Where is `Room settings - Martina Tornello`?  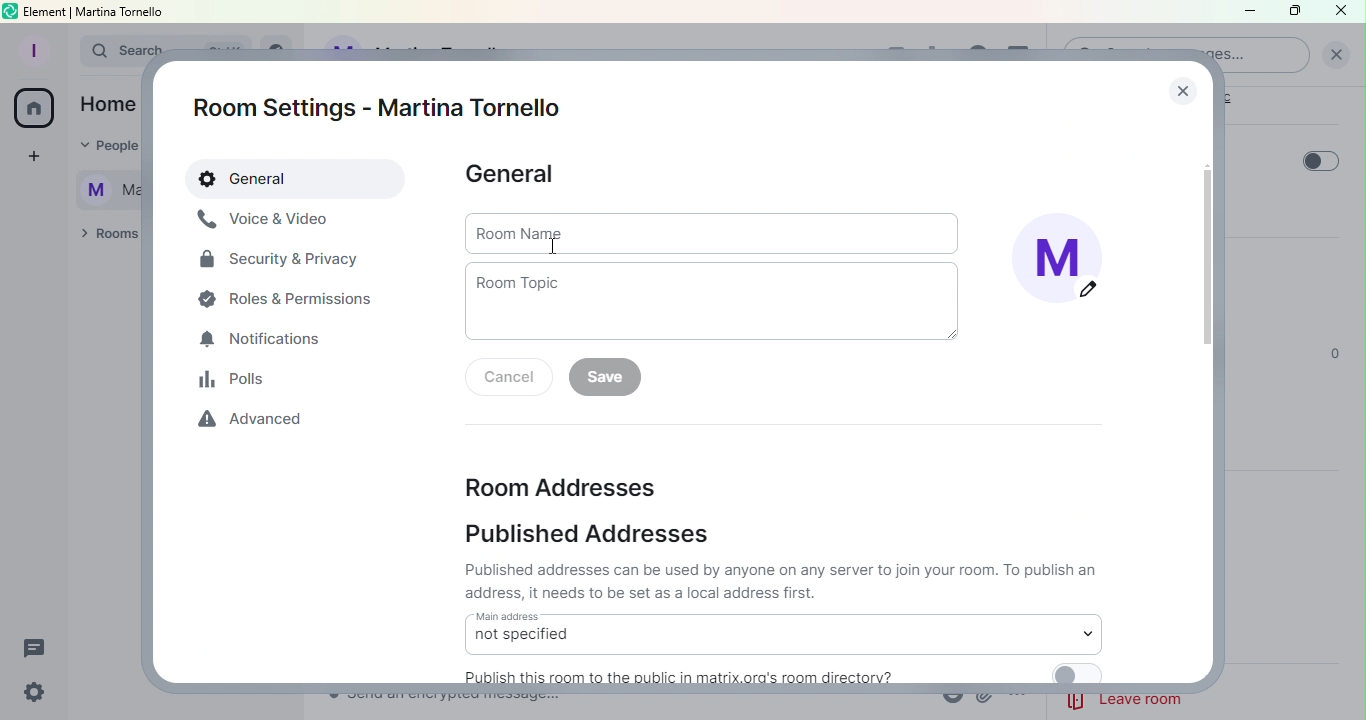 Room settings - Martina Tornello is located at coordinates (385, 108).